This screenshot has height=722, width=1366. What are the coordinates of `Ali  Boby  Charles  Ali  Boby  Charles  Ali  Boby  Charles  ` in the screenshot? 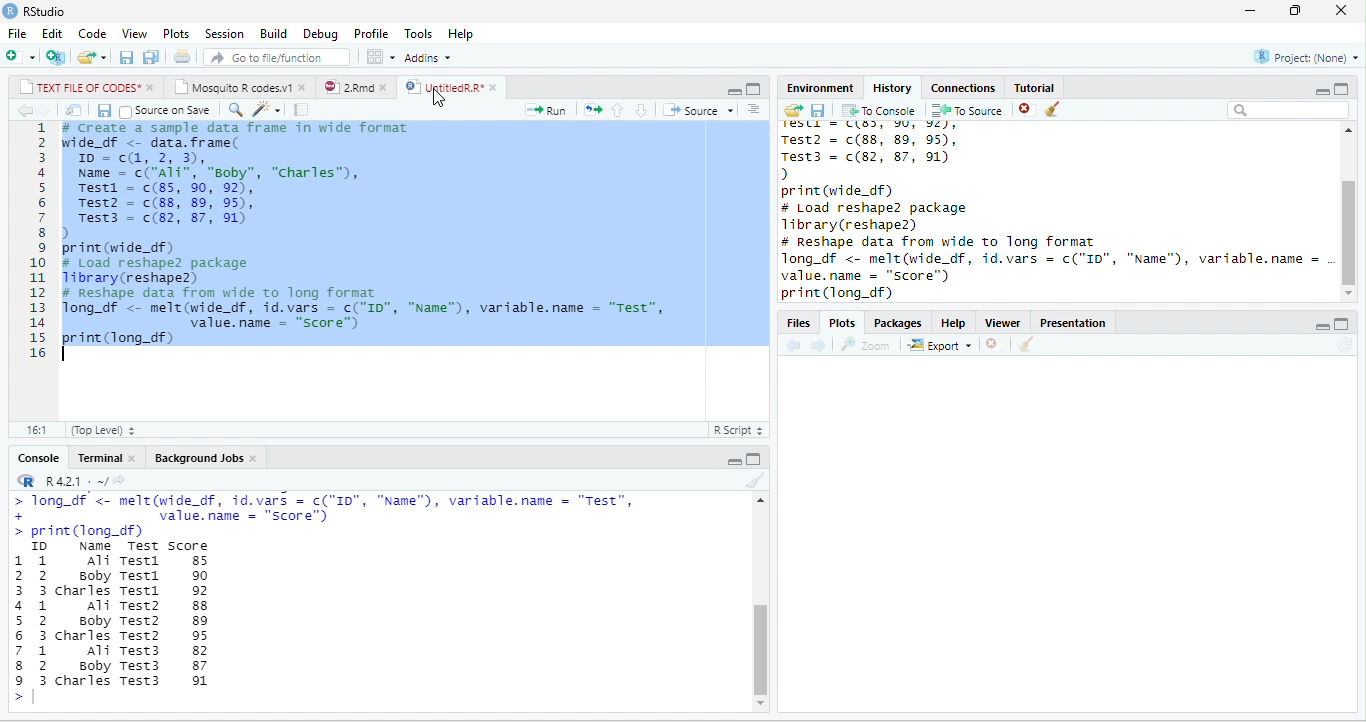 It's located at (84, 621).